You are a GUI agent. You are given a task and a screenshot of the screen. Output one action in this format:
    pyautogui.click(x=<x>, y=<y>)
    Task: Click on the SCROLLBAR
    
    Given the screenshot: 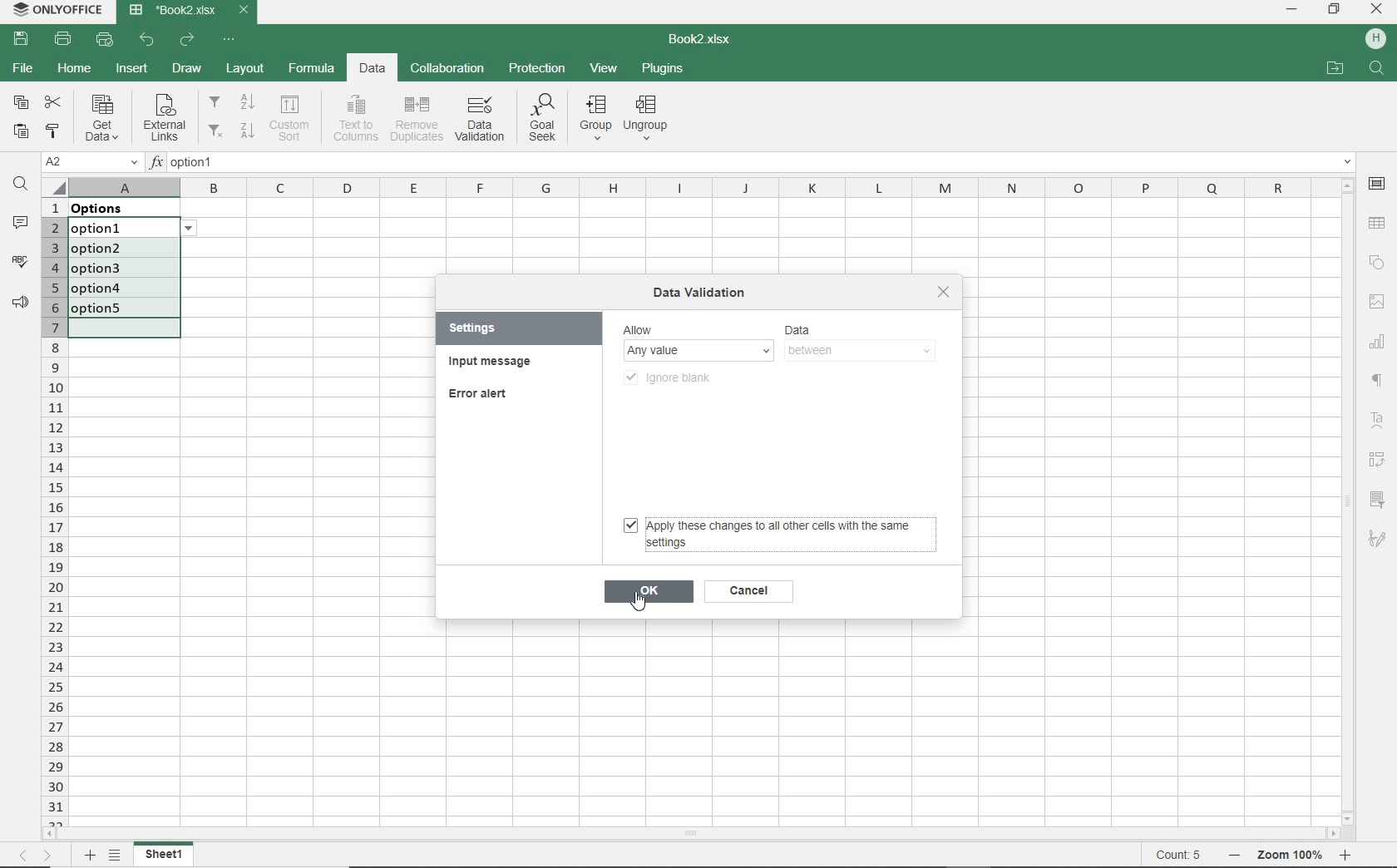 What is the action you would take?
    pyautogui.click(x=691, y=832)
    